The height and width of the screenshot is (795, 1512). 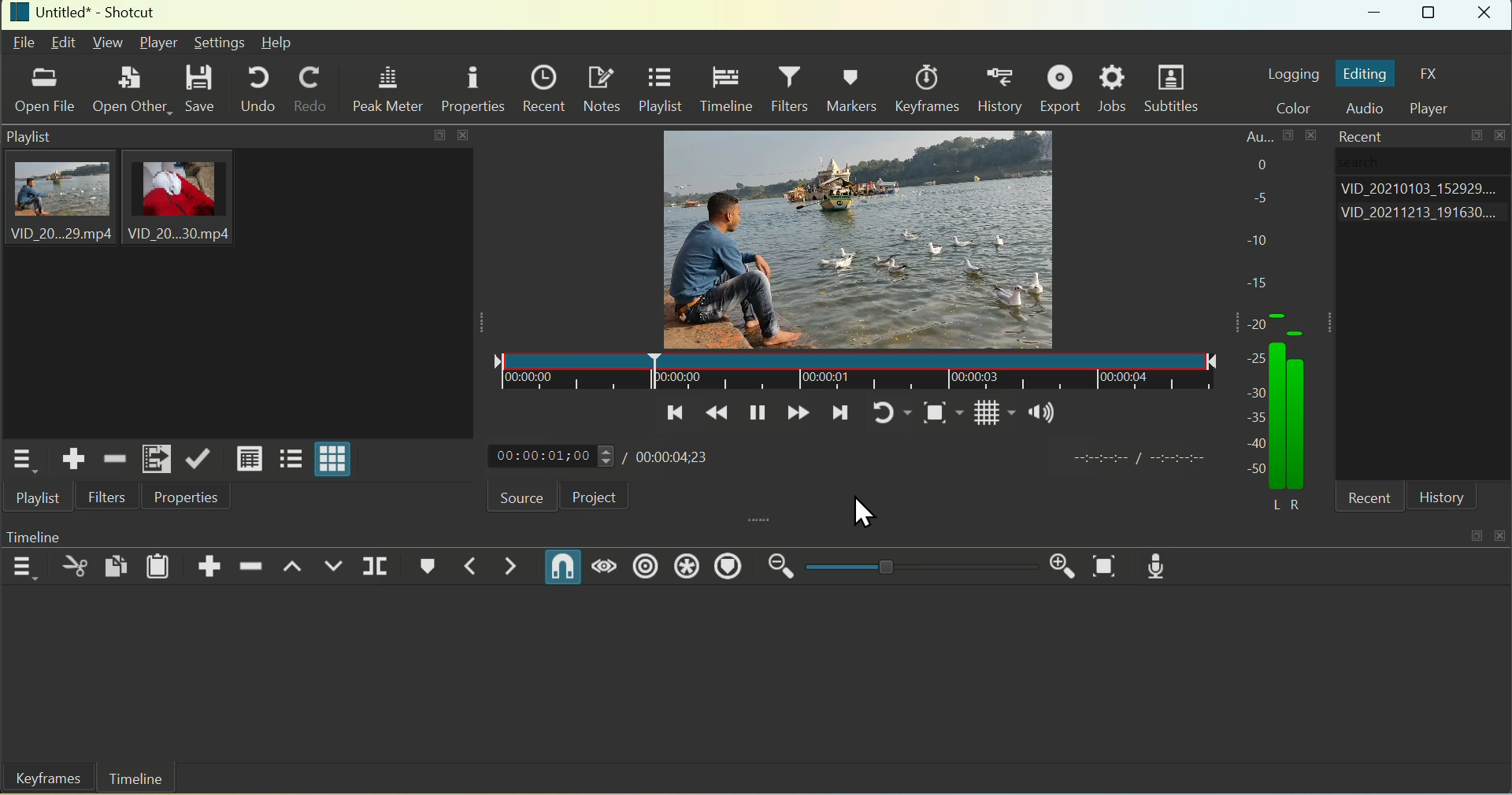 I want to click on Zoom out, so click(x=782, y=567).